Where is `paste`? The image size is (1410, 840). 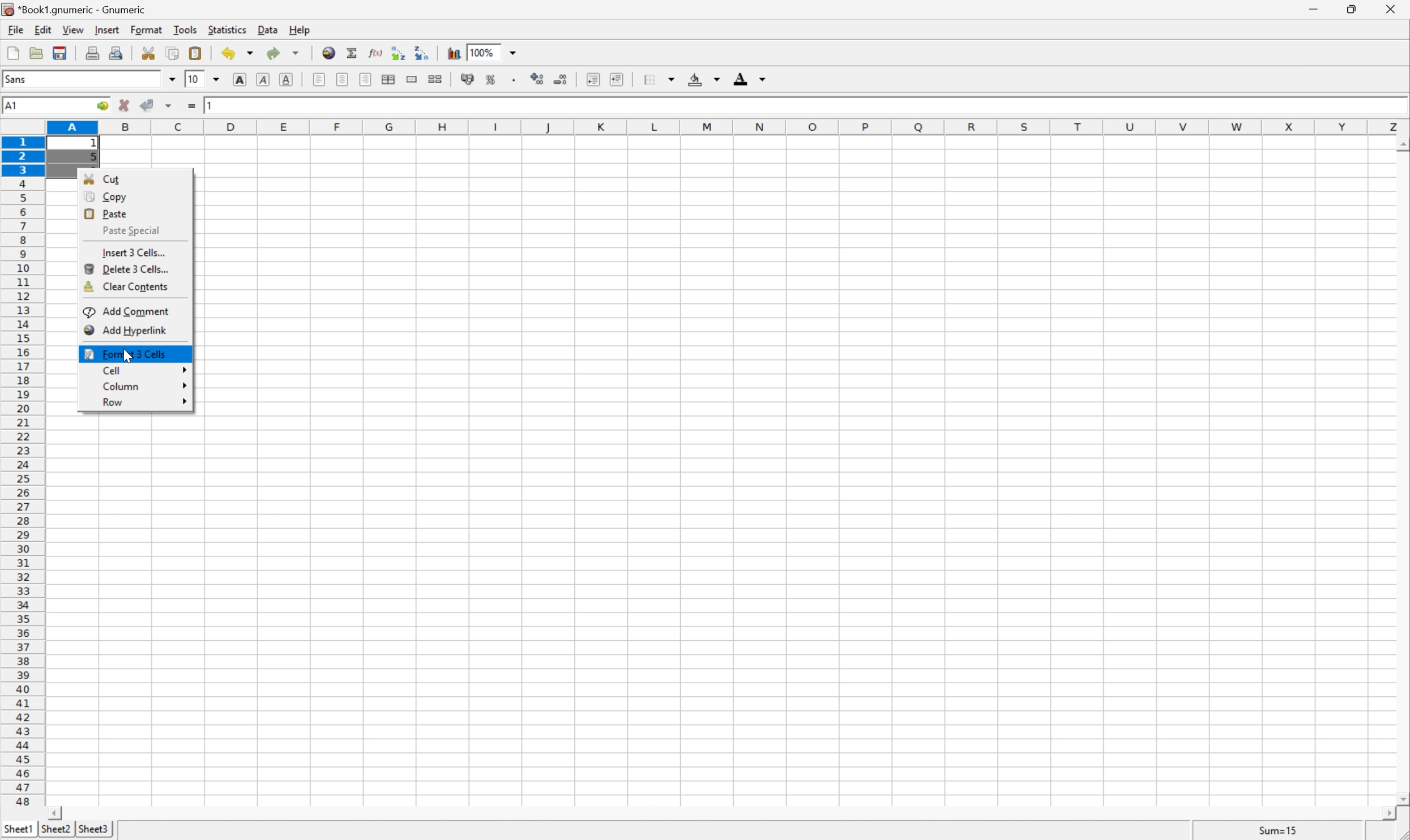
paste is located at coordinates (198, 53).